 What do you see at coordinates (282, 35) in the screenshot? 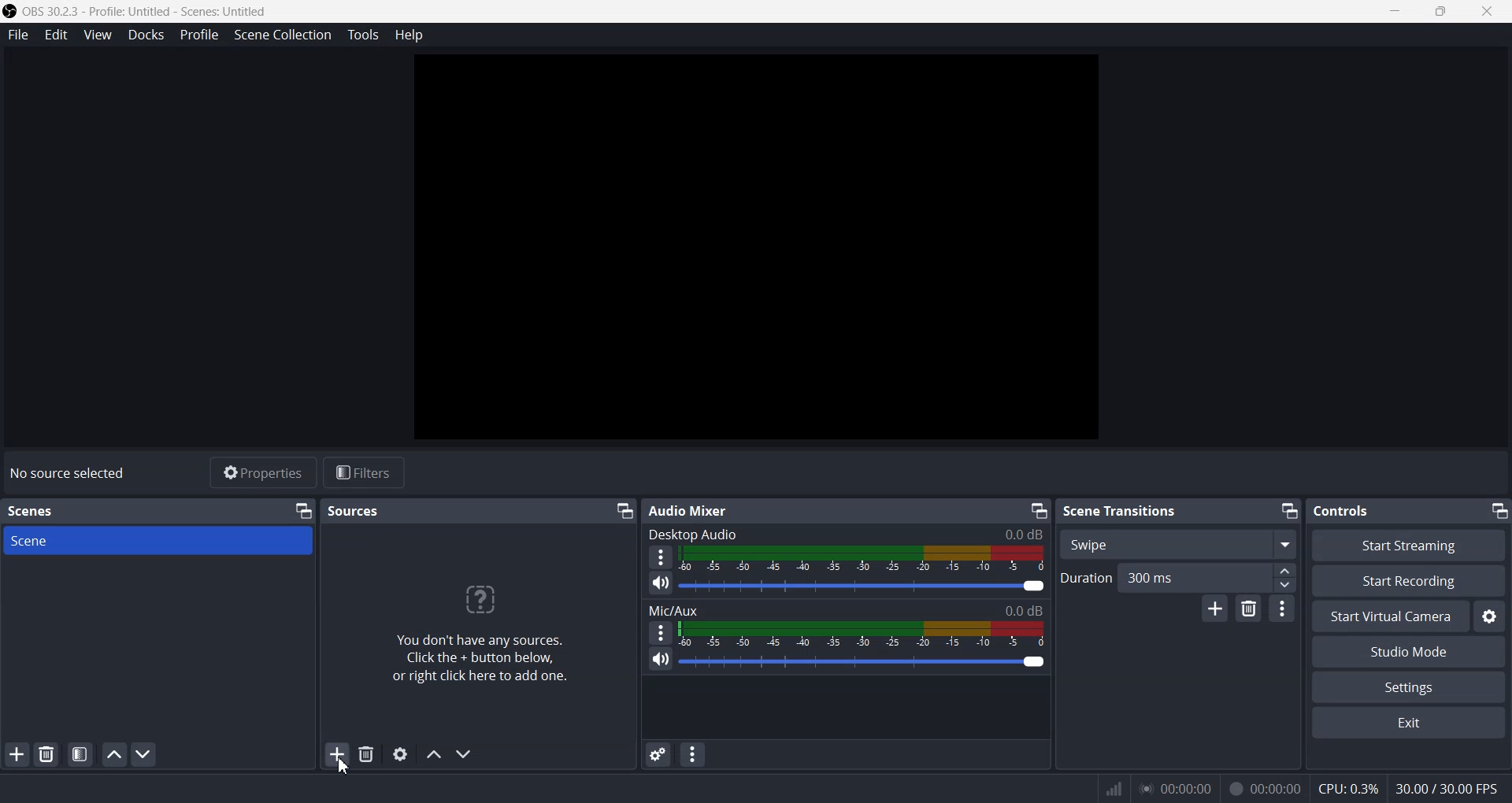
I see `Scene Collection` at bounding box center [282, 35].